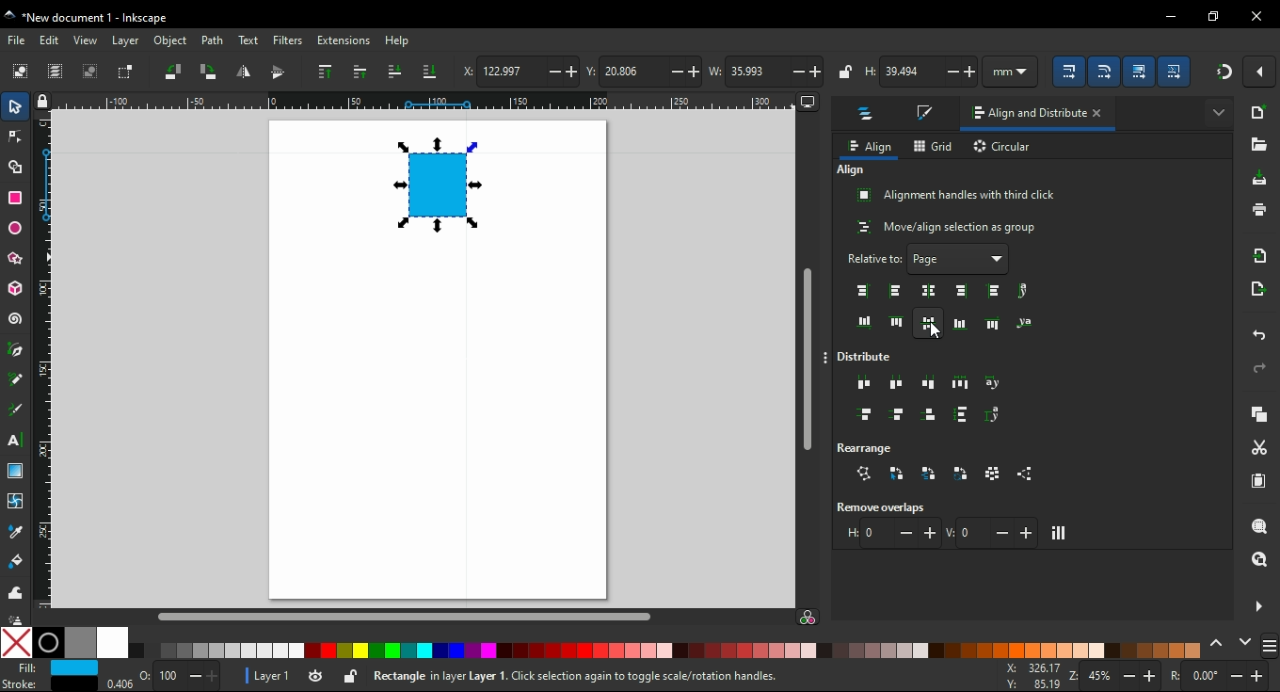 Image resolution: width=1280 pixels, height=692 pixels. Describe the element at coordinates (874, 446) in the screenshot. I see `rearrange` at that location.